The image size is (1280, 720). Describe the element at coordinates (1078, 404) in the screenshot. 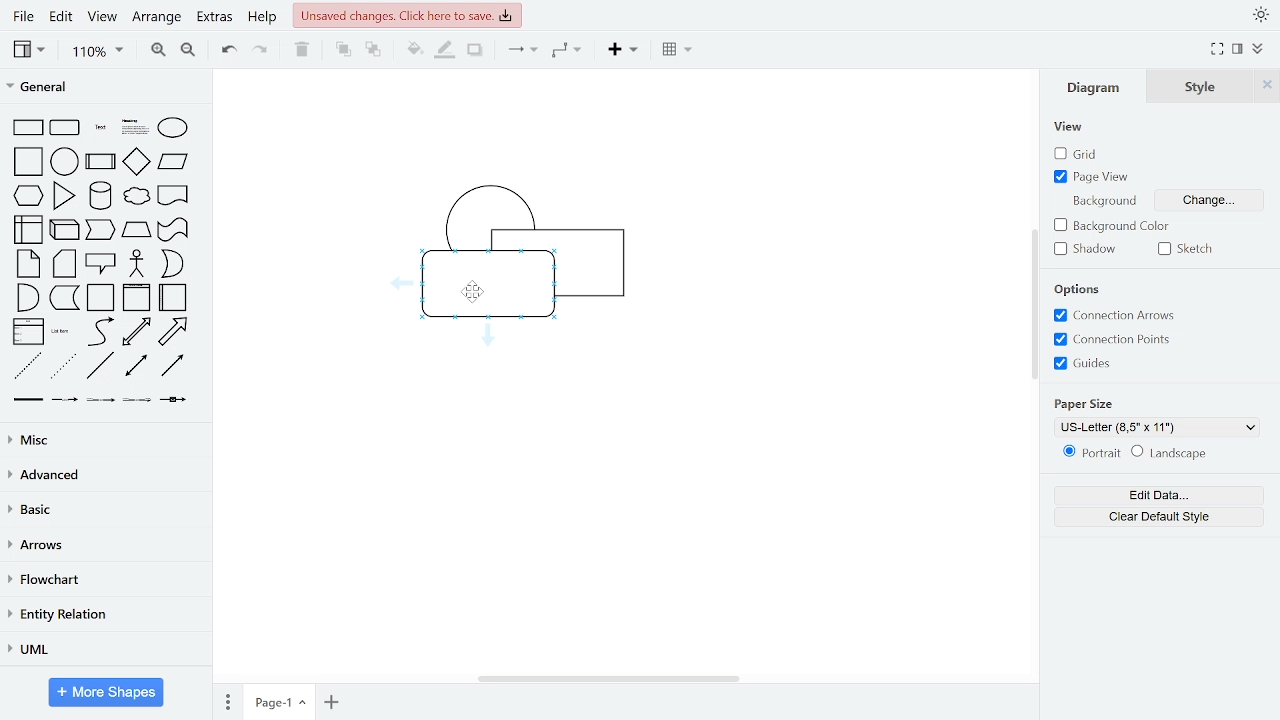

I see `paper size` at that location.